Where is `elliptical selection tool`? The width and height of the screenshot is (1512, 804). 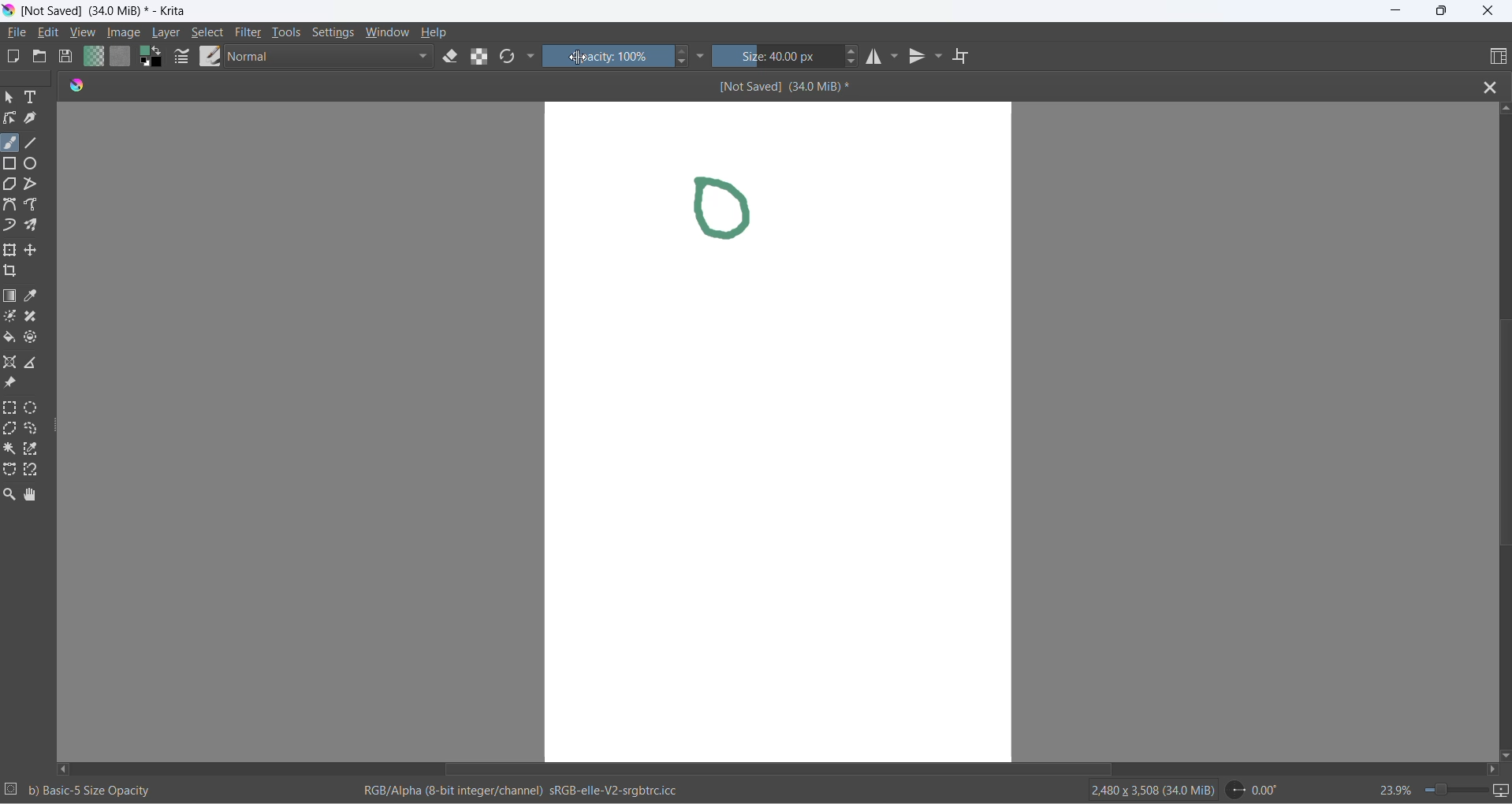 elliptical selection tool is located at coordinates (34, 408).